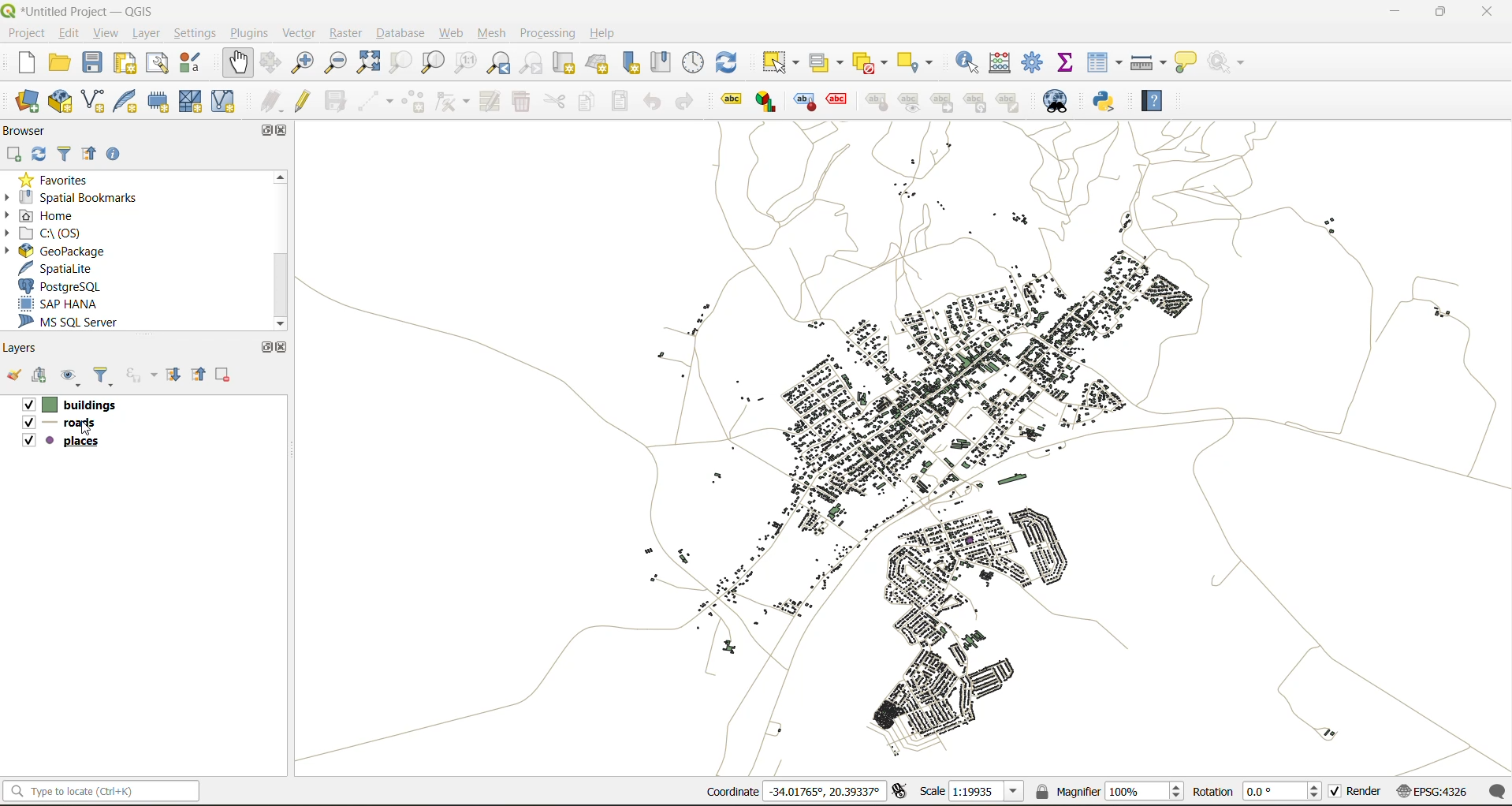 This screenshot has width=1512, height=806. I want to click on roads layer, so click(70, 423).